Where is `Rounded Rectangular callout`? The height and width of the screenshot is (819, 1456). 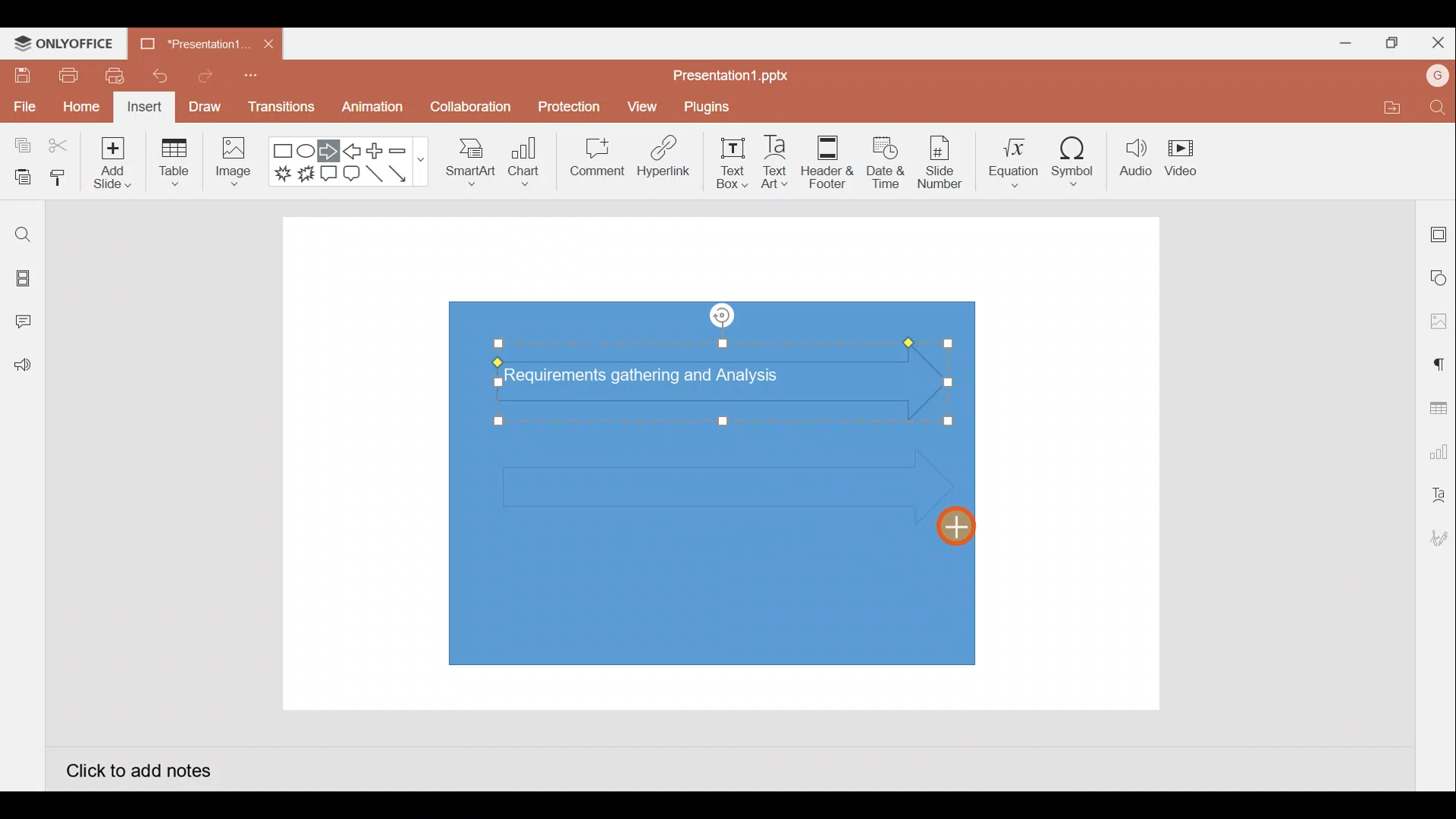
Rounded Rectangular callout is located at coordinates (351, 171).